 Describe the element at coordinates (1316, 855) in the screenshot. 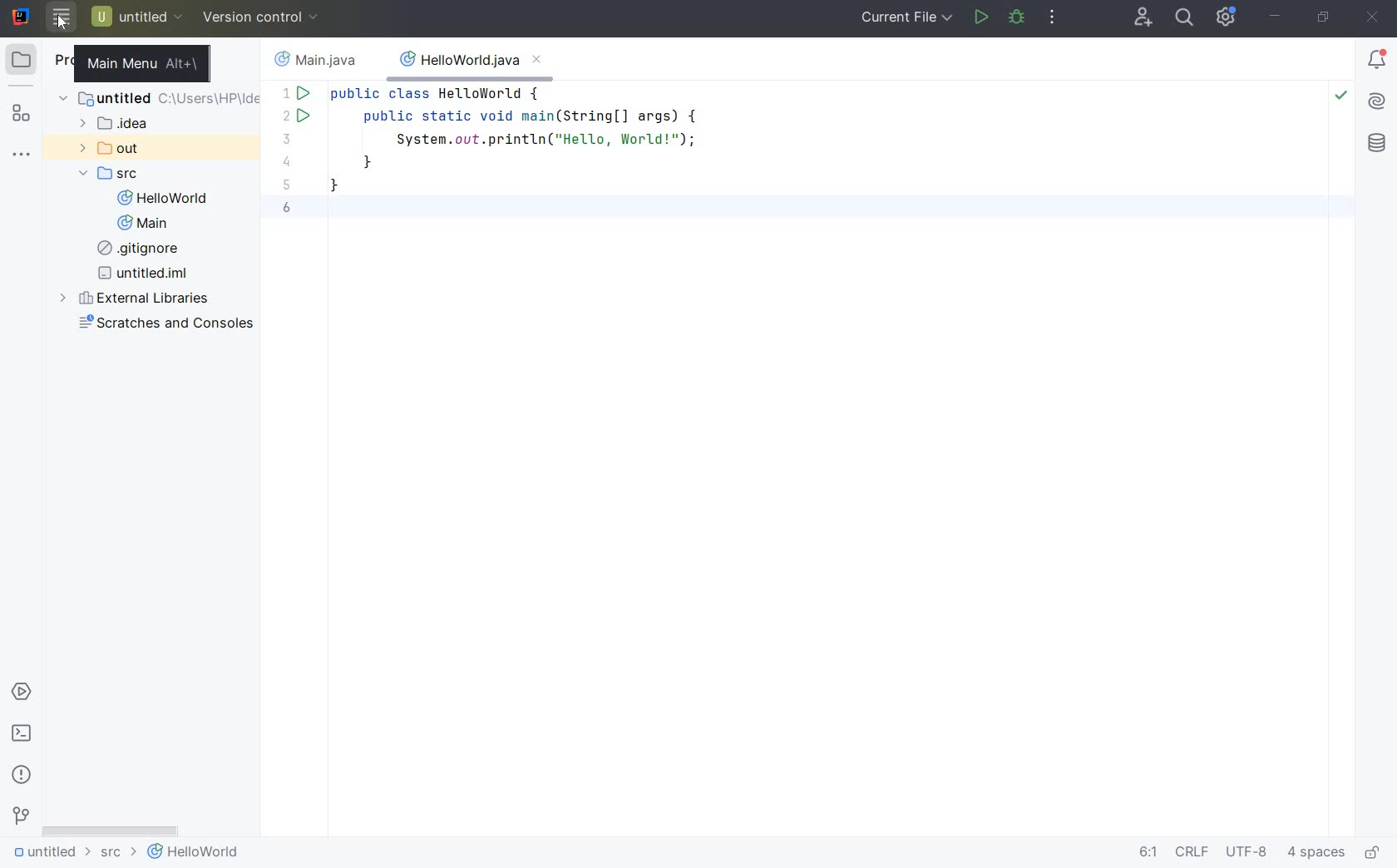

I see `indent` at that location.